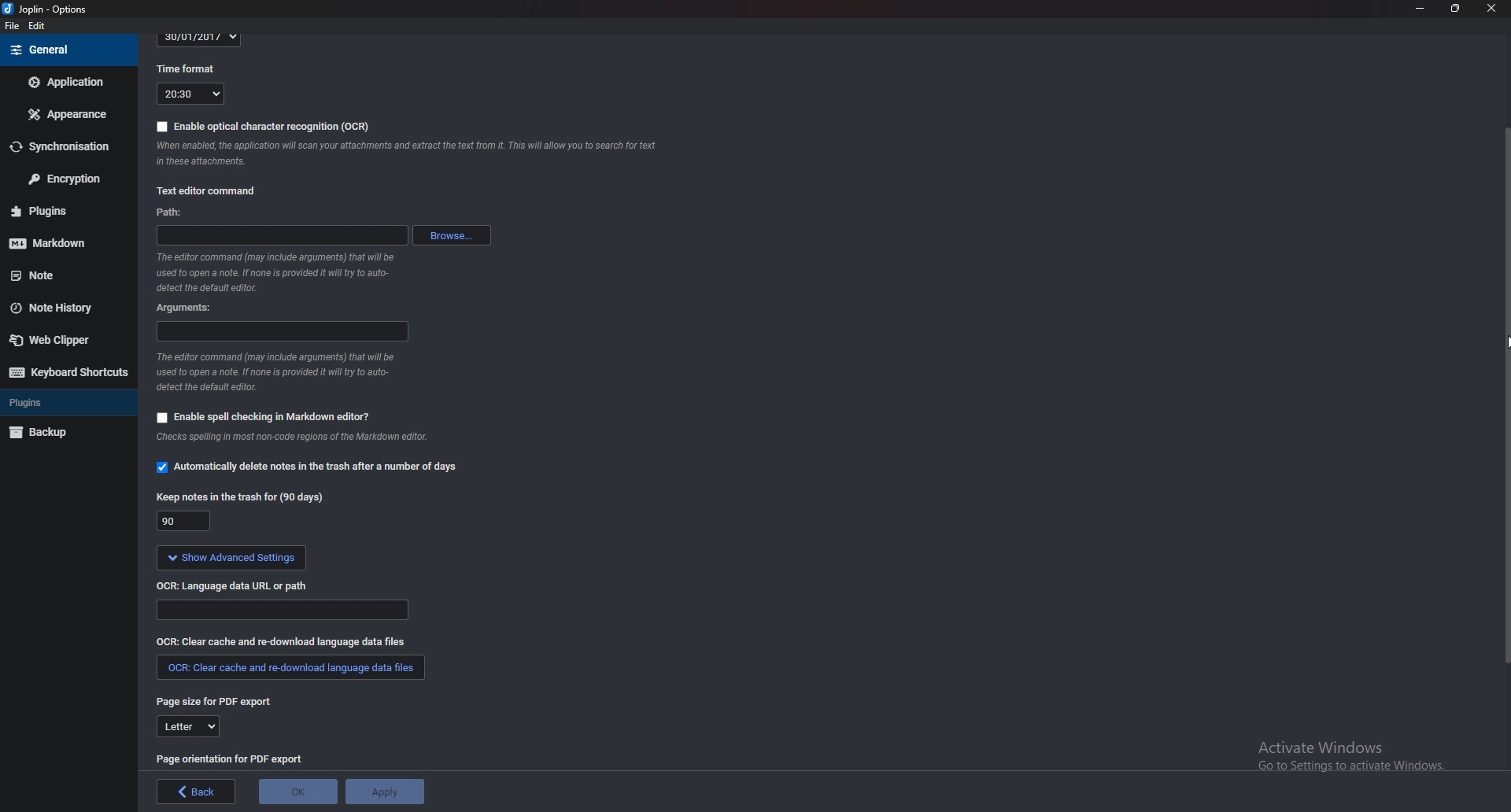 Image resolution: width=1511 pixels, height=812 pixels. Describe the element at coordinates (60, 401) in the screenshot. I see `Plugins` at that location.